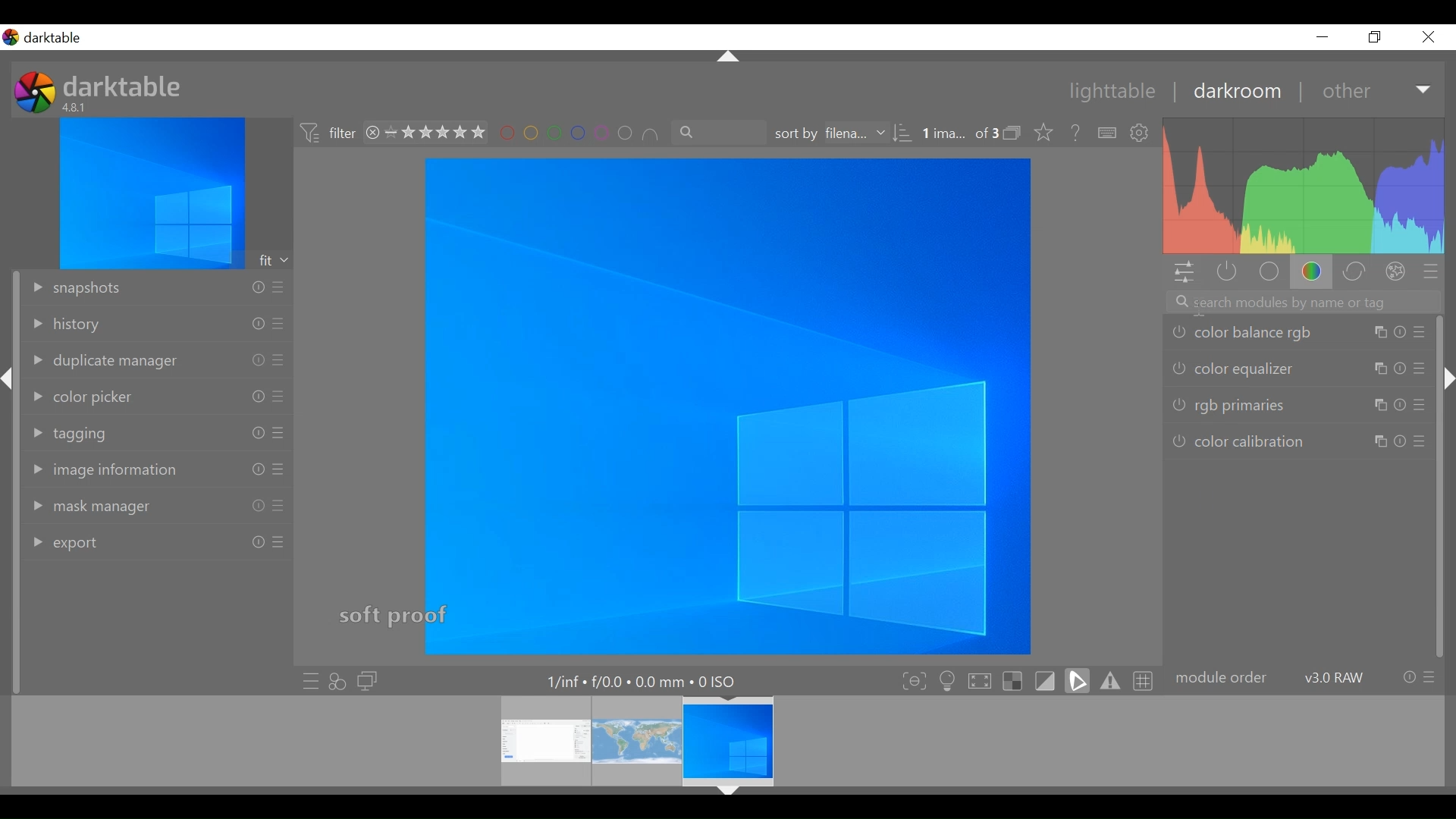 The height and width of the screenshot is (819, 1456). Describe the element at coordinates (259, 541) in the screenshot. I see `info` at that location.